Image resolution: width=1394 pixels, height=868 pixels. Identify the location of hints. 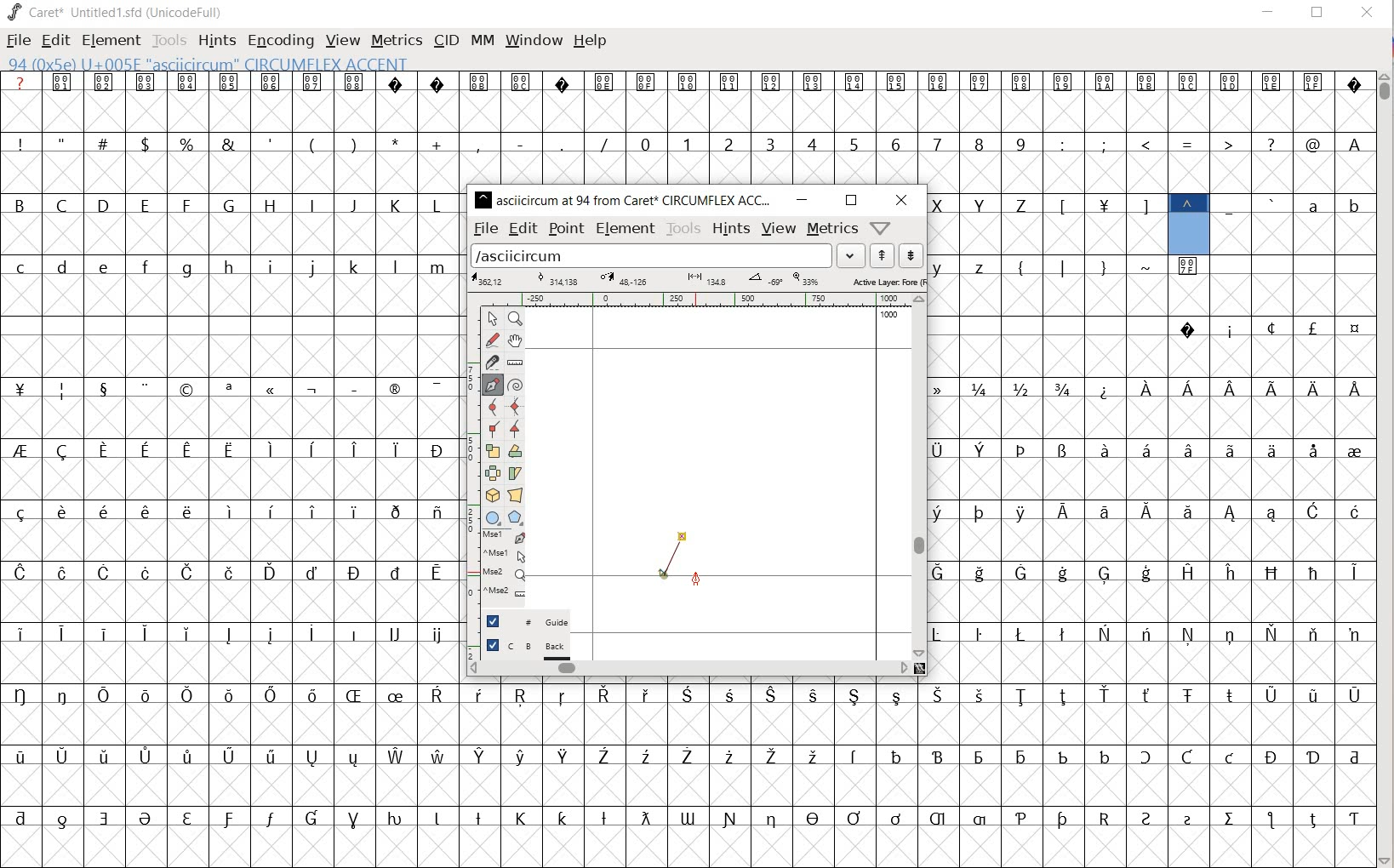
(732, 229).